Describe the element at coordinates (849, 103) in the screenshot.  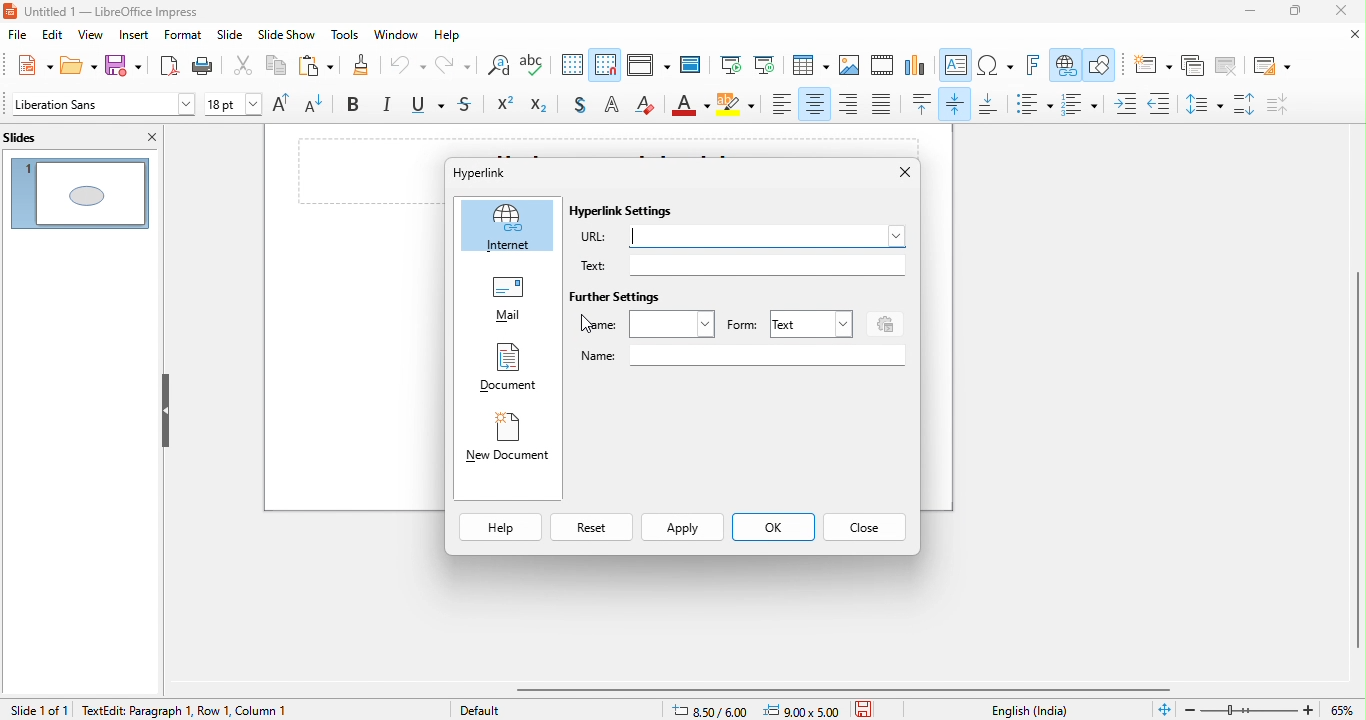
I see `align right` at that location.